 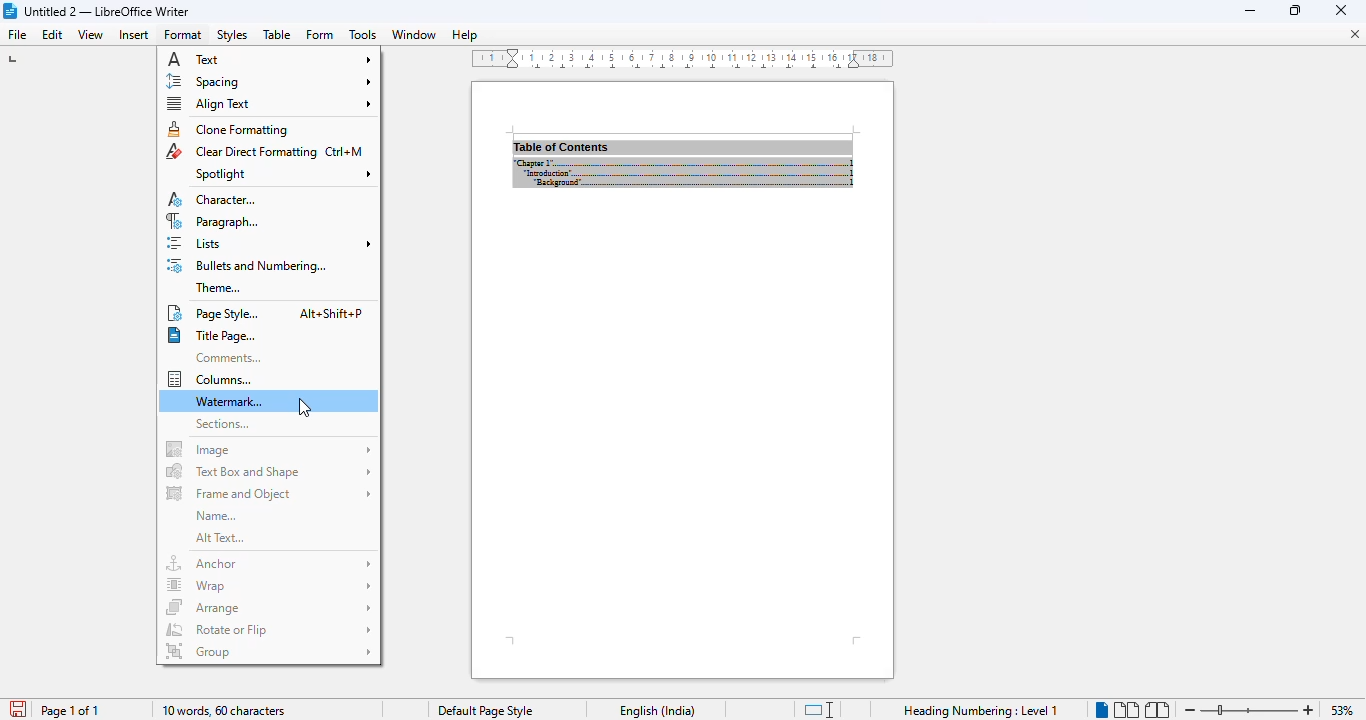 I want to click on columns, so click(x=210, y=379).